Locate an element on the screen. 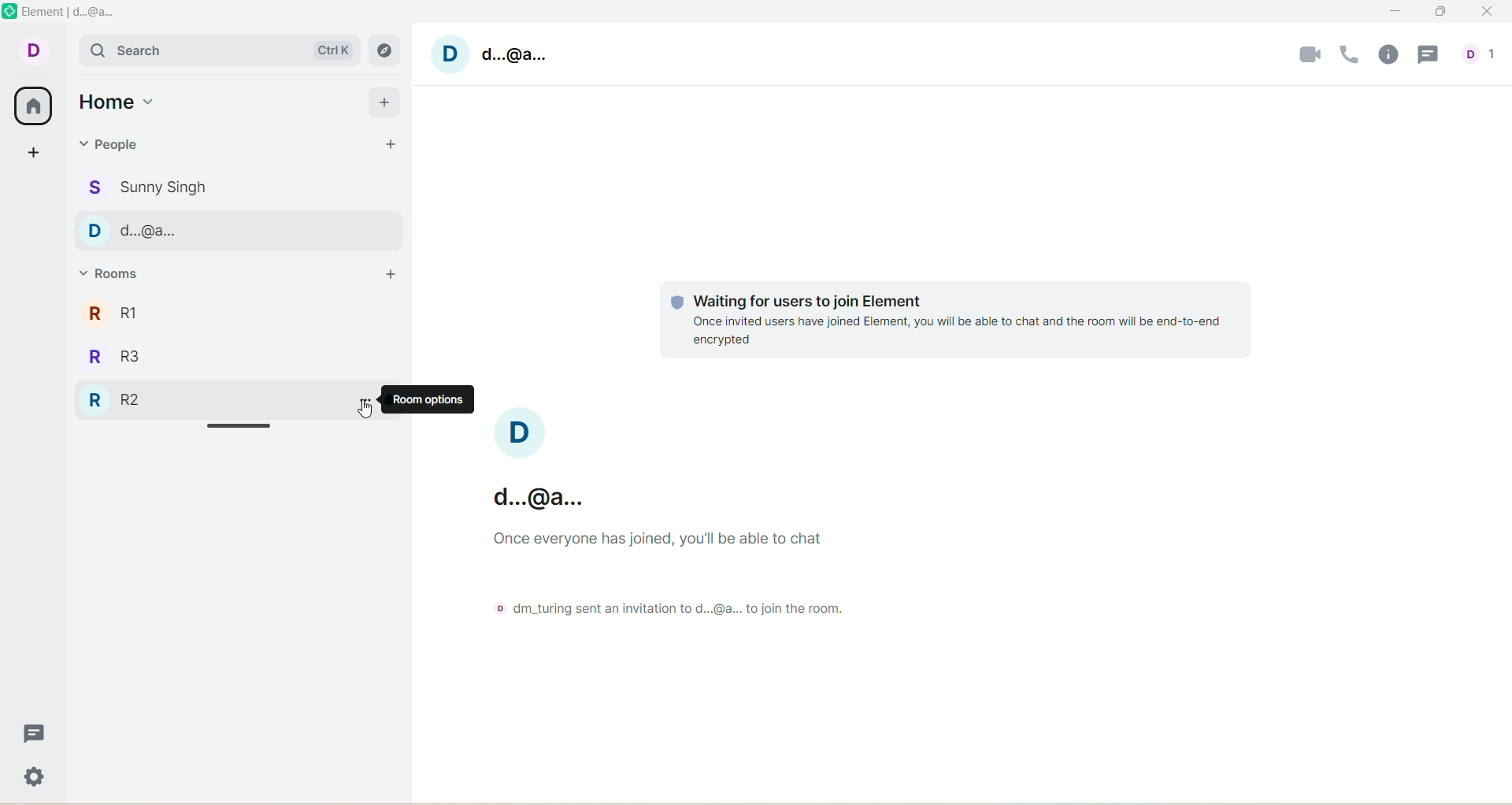  search is located at coordinates (213, 50).